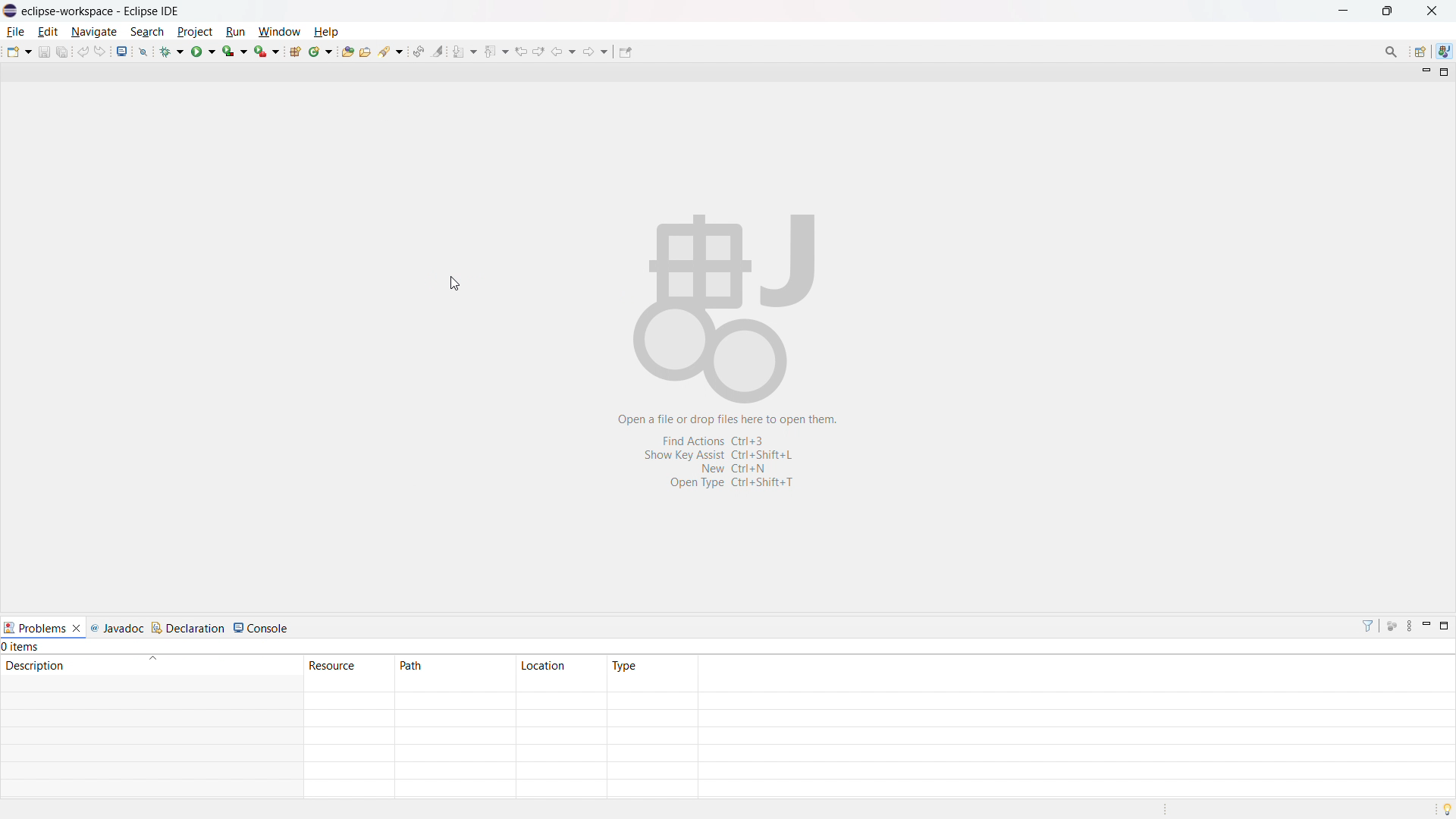  I want to click on file, so click(17, 31).